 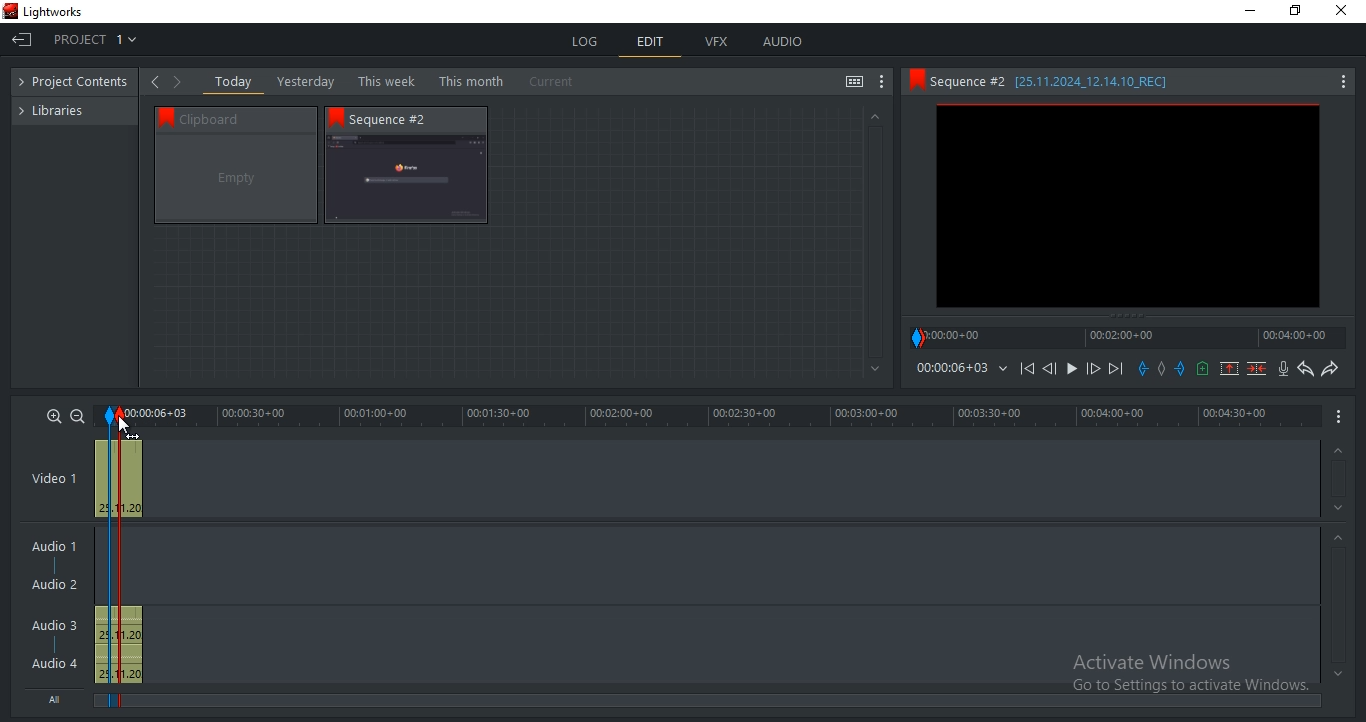 What do you see at coordinates (399, 119) in the screenshot?
I see `Sequence #2` at bounding box center [399, 119].